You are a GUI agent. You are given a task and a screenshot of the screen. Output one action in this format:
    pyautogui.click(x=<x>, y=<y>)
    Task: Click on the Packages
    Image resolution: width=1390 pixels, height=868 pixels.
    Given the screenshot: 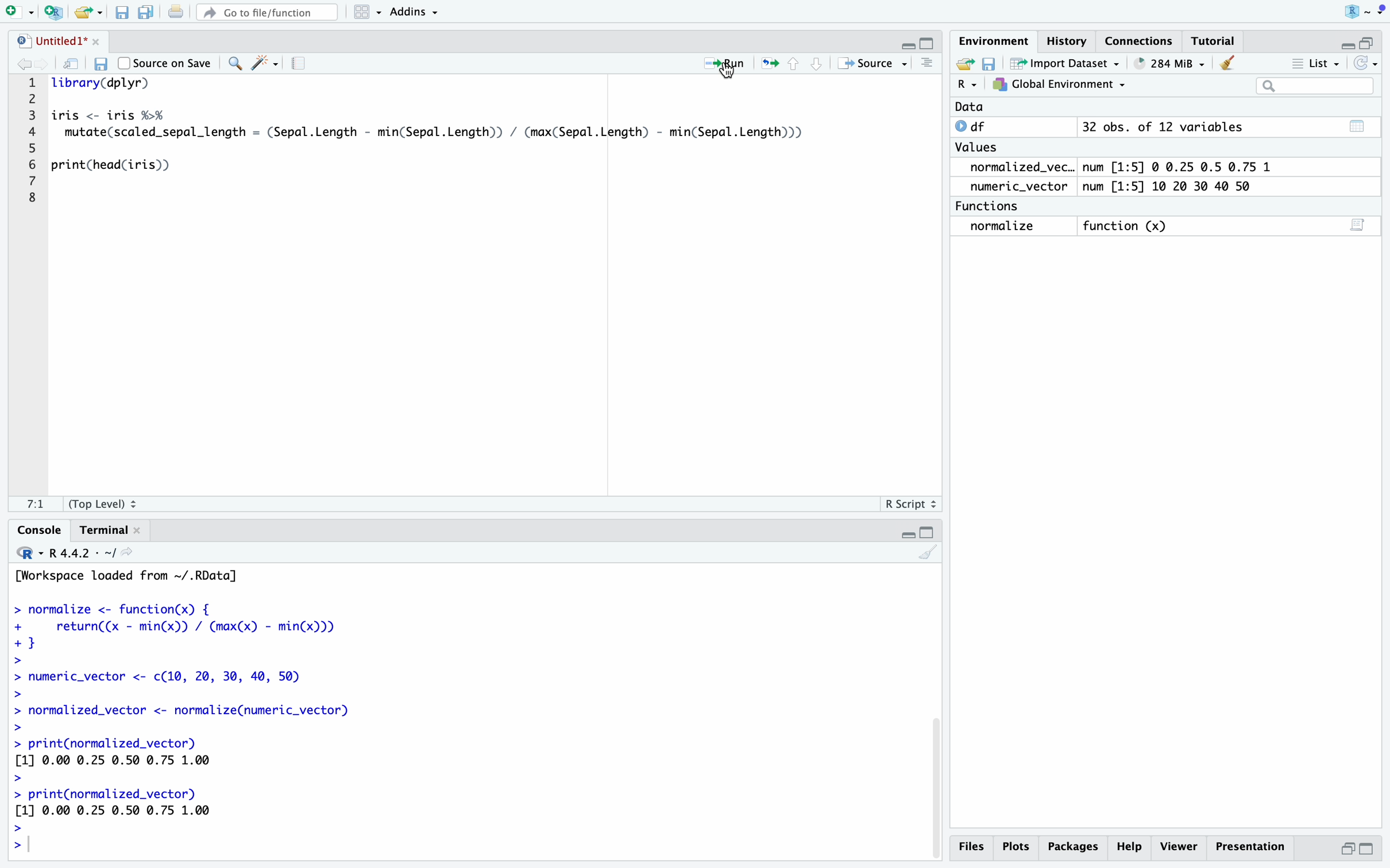 What is the action you would take?
    pyautogui.click(x=1075, y=846)
    